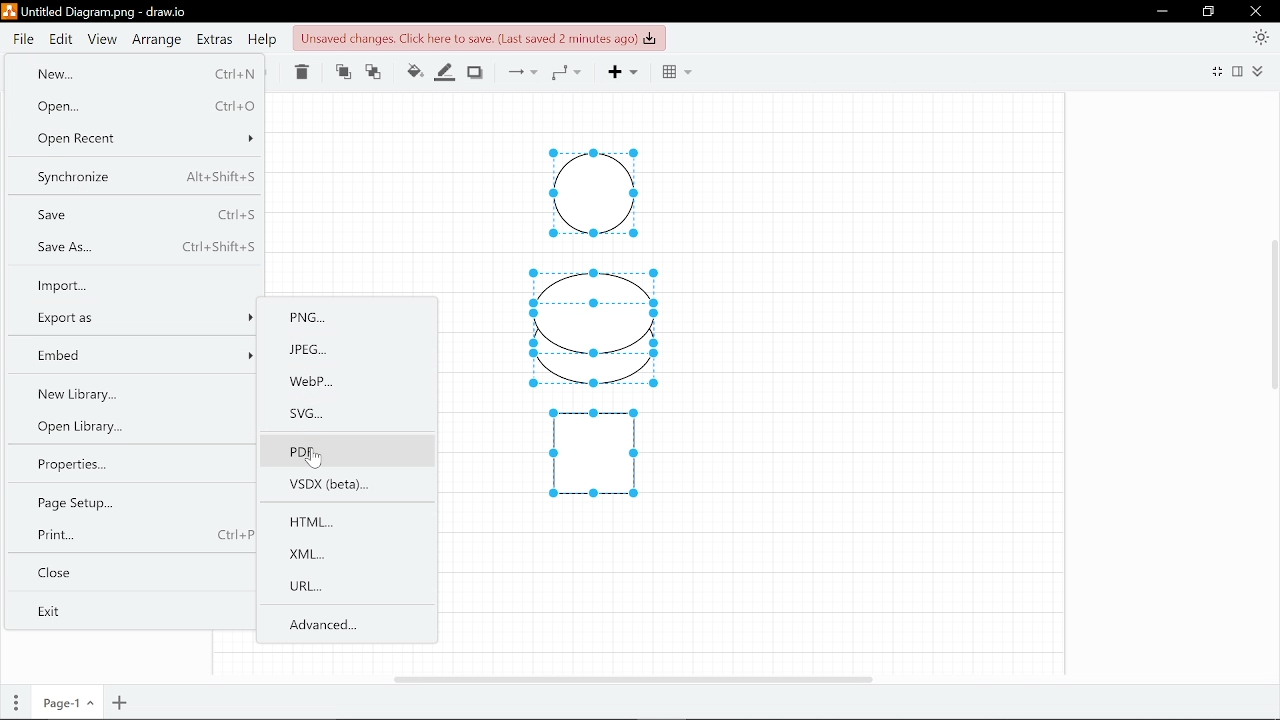  Describe the element at coordinates (1272, 316) in the screenshot. I see `Vertical cursor` at that location.